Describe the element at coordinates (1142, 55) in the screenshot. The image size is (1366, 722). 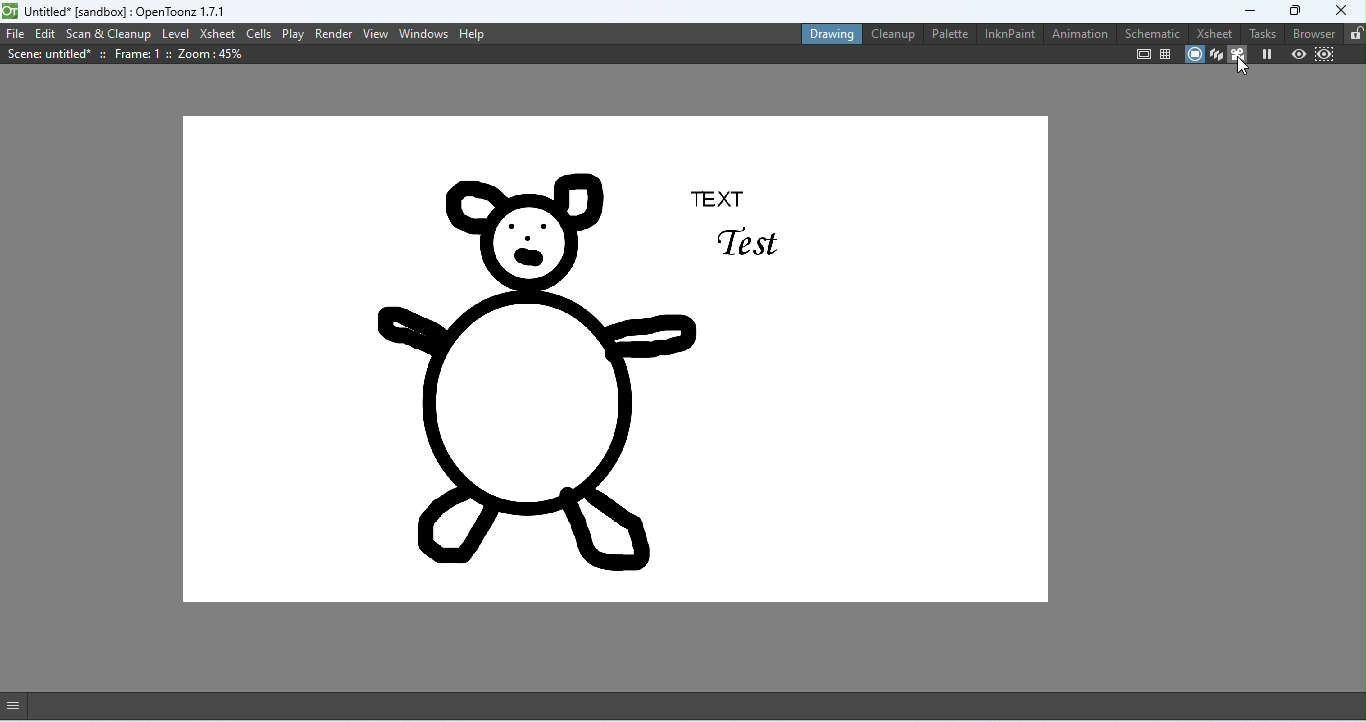
I see `safe area` at that location.